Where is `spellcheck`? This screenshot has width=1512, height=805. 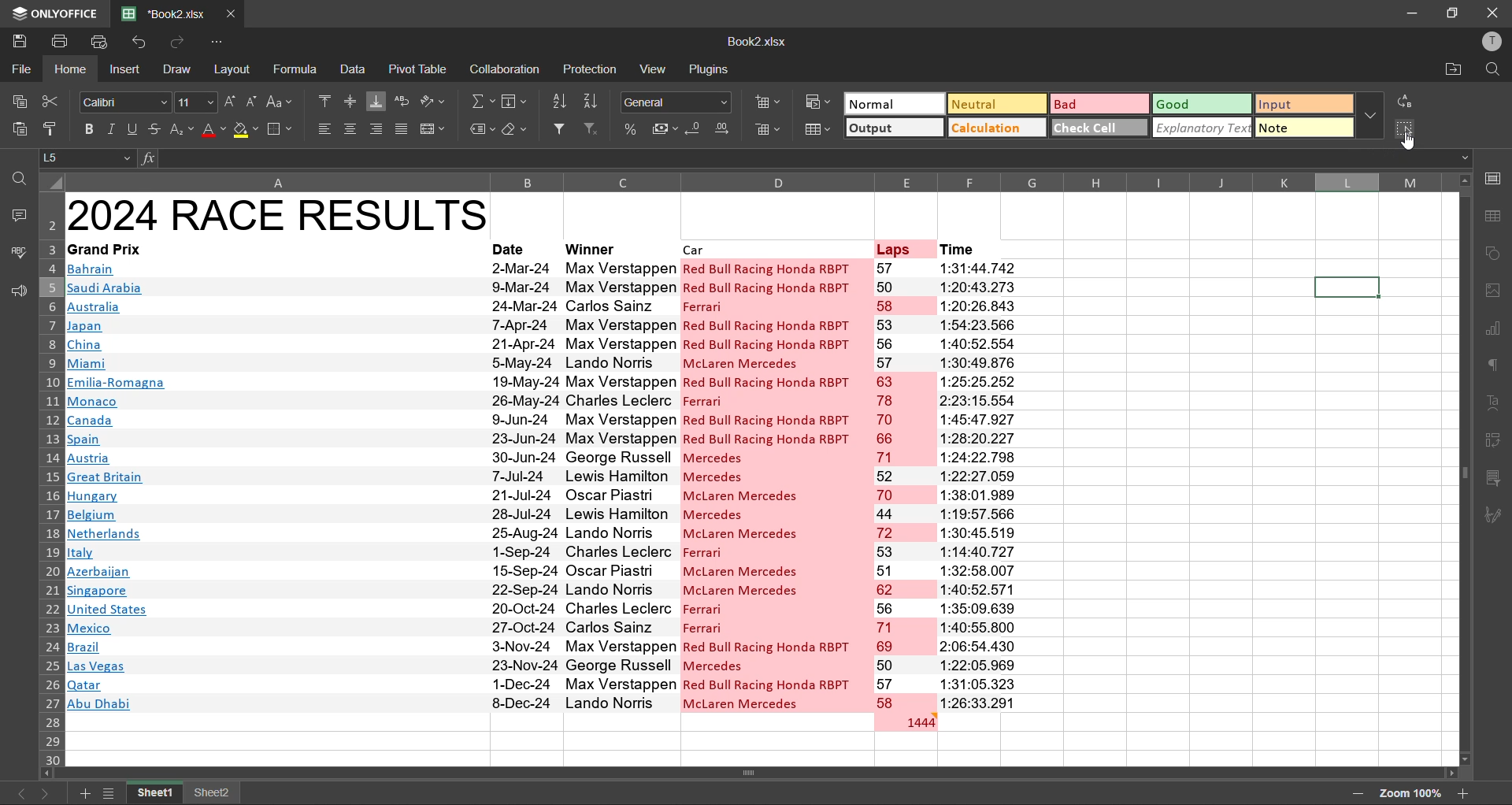 spellcheck is located at coordinates (16, 254).